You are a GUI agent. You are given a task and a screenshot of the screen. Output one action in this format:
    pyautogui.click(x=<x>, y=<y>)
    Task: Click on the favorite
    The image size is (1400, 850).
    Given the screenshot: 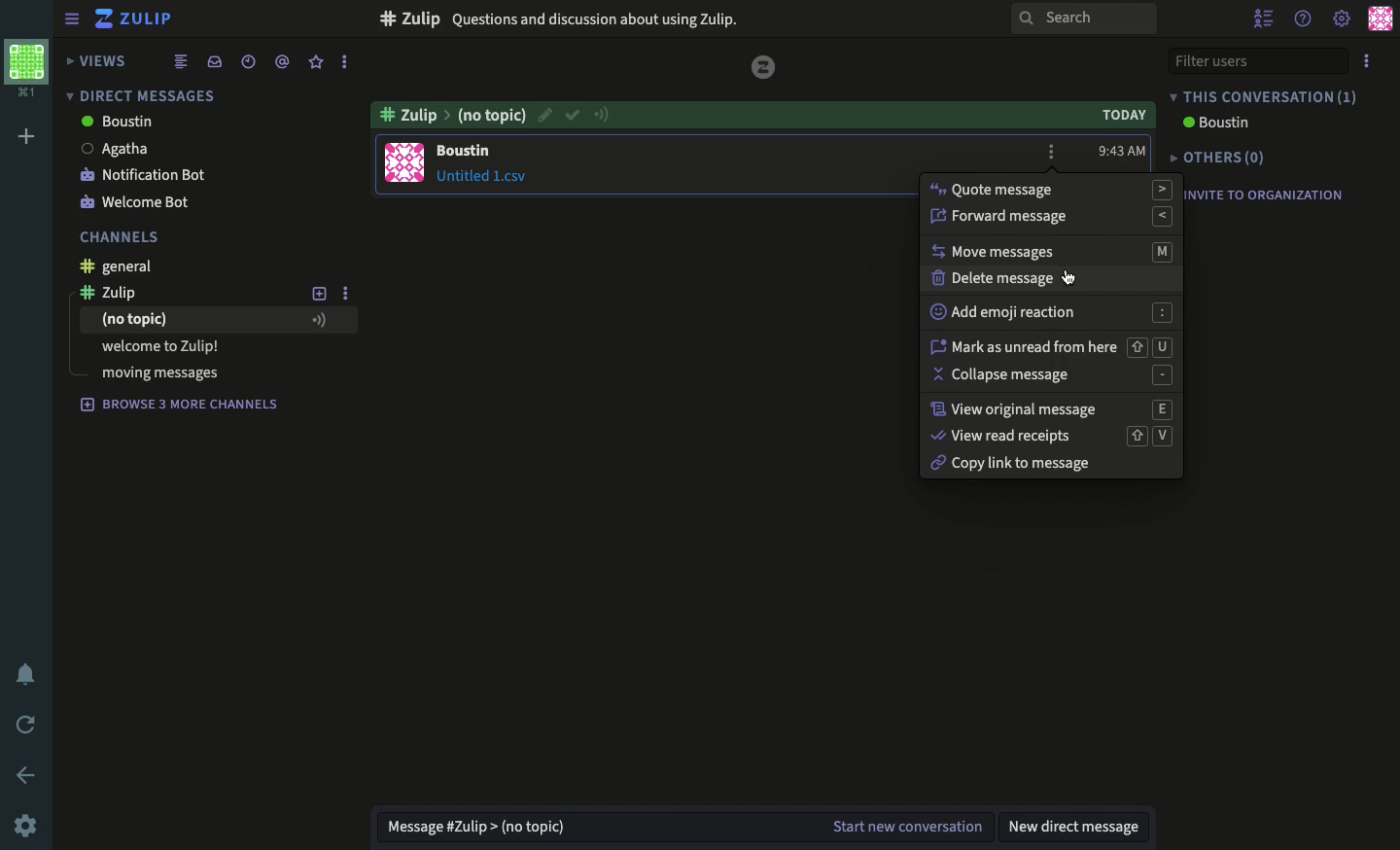 What is the action you would take?
    pyautogui.click(x=316, y=62)
    